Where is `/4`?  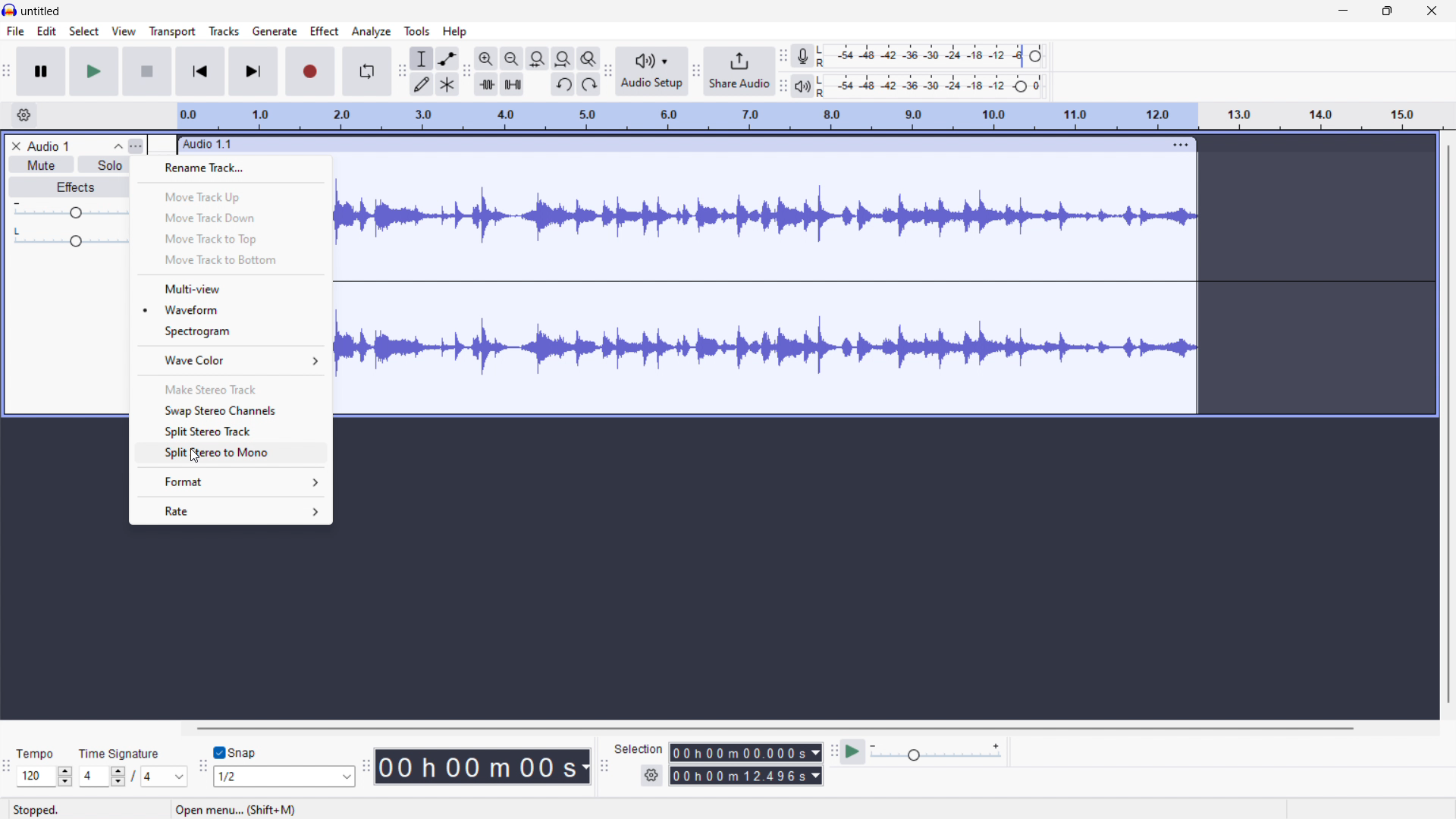
/4 is located at coordinates (146, 777).